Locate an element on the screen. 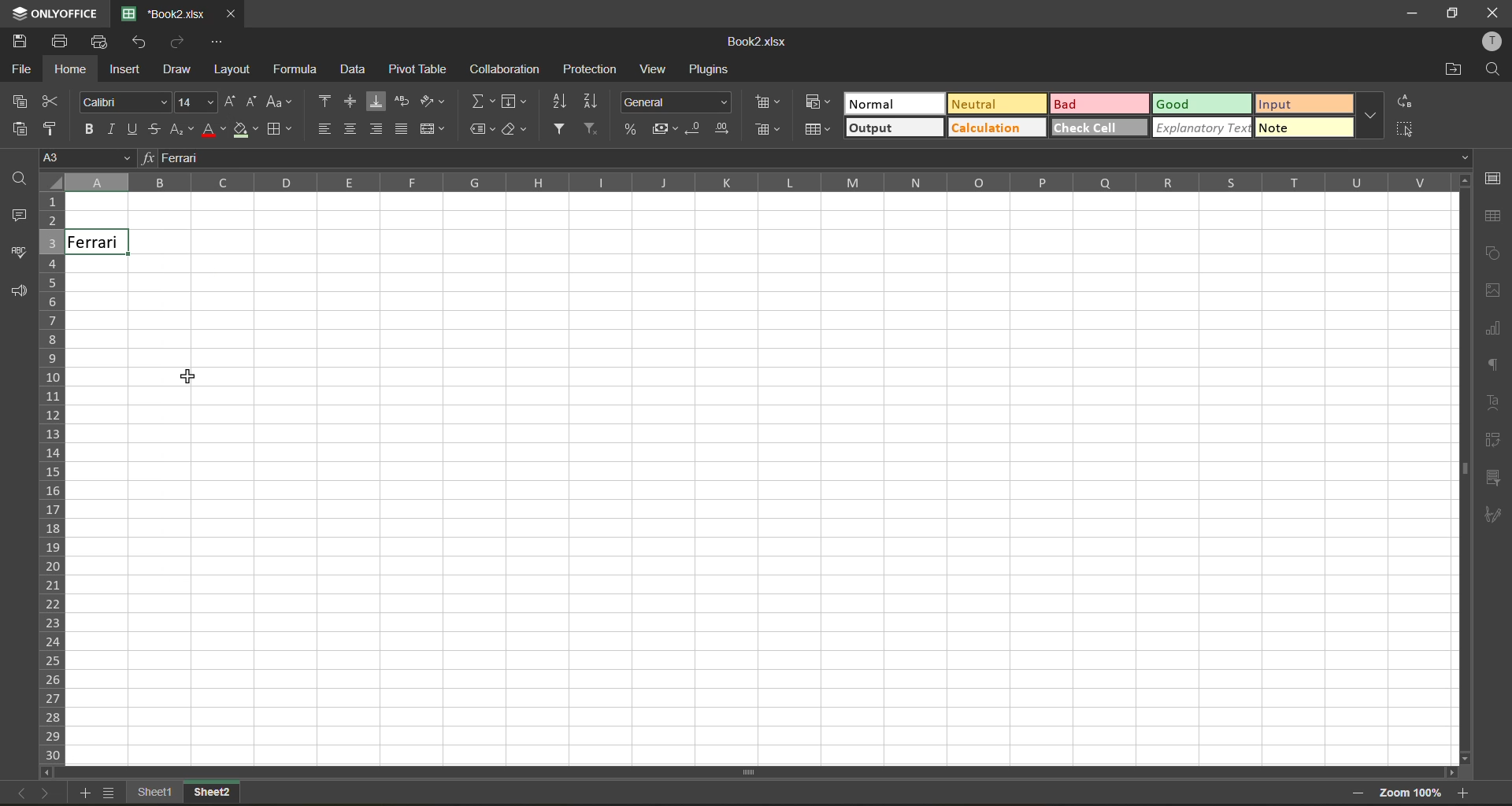 The width and height of the screenshot is (1512, 806). sub/superscript is located at coordinates (181, 129).